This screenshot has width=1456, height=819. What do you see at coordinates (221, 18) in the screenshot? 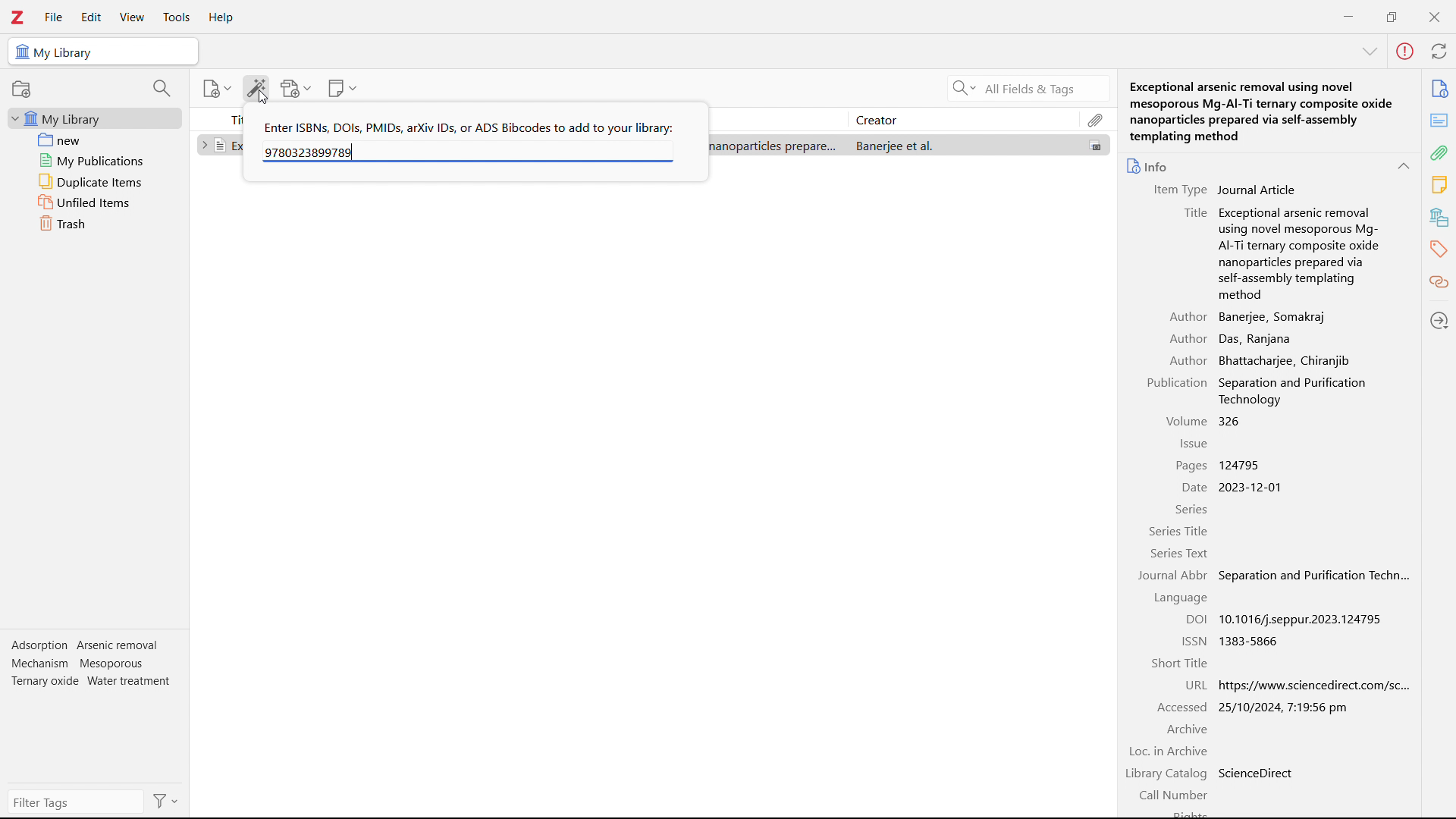
I see `help` at bounding box center [221, 18].